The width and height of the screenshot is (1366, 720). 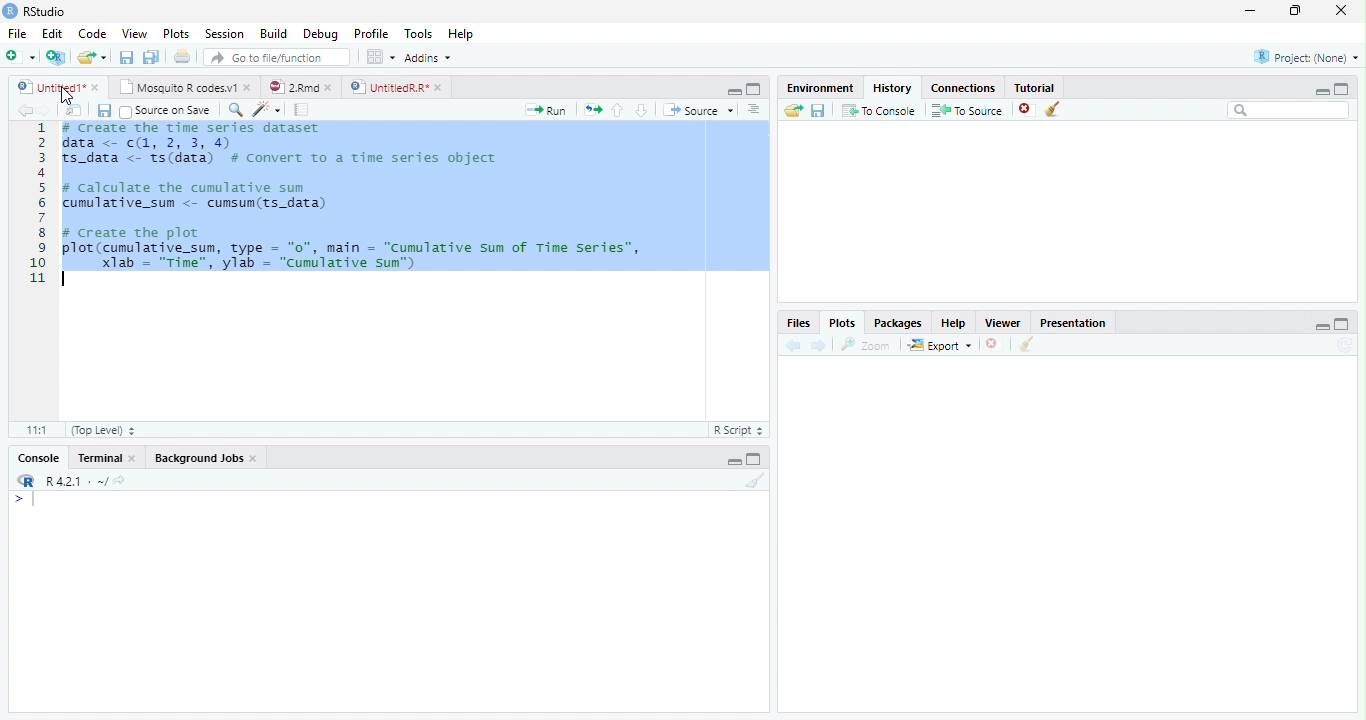 What do you see at coordinates (38, 208) in the screenshot?
I see `Numbers ` at bounding box center [38, 208].